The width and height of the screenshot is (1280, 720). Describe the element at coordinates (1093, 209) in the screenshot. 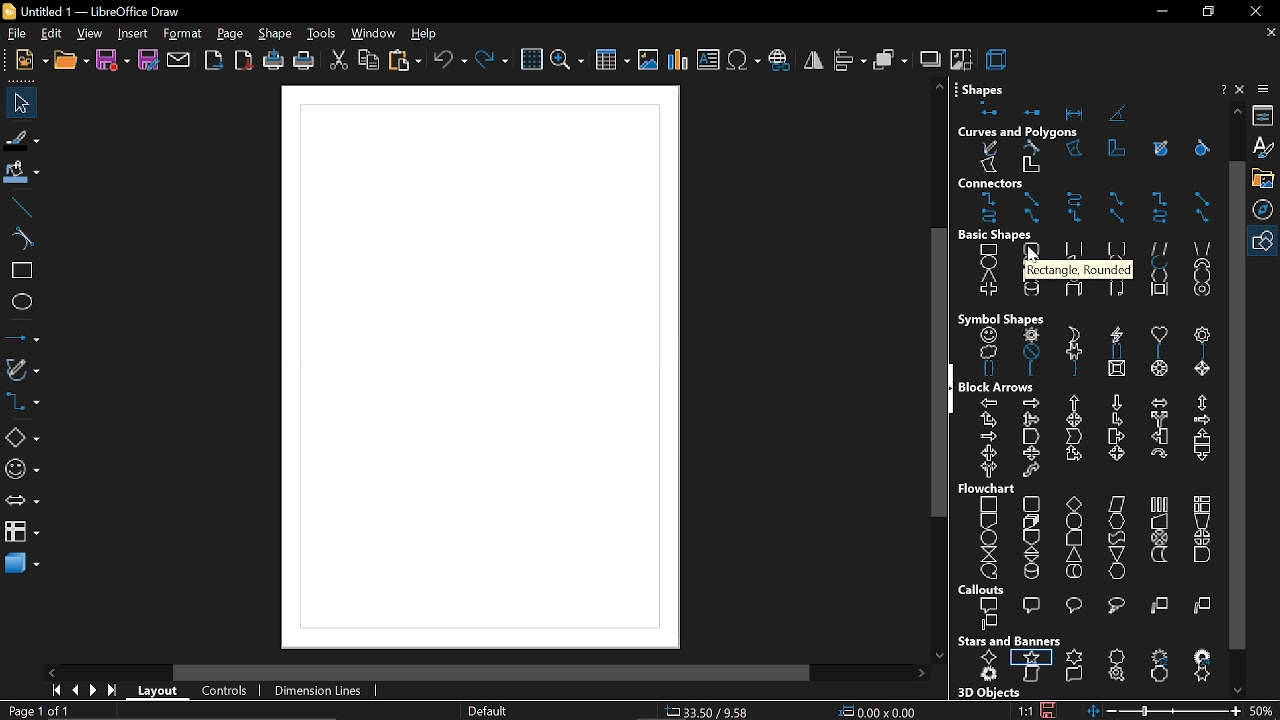

I see `connectors` at that location.